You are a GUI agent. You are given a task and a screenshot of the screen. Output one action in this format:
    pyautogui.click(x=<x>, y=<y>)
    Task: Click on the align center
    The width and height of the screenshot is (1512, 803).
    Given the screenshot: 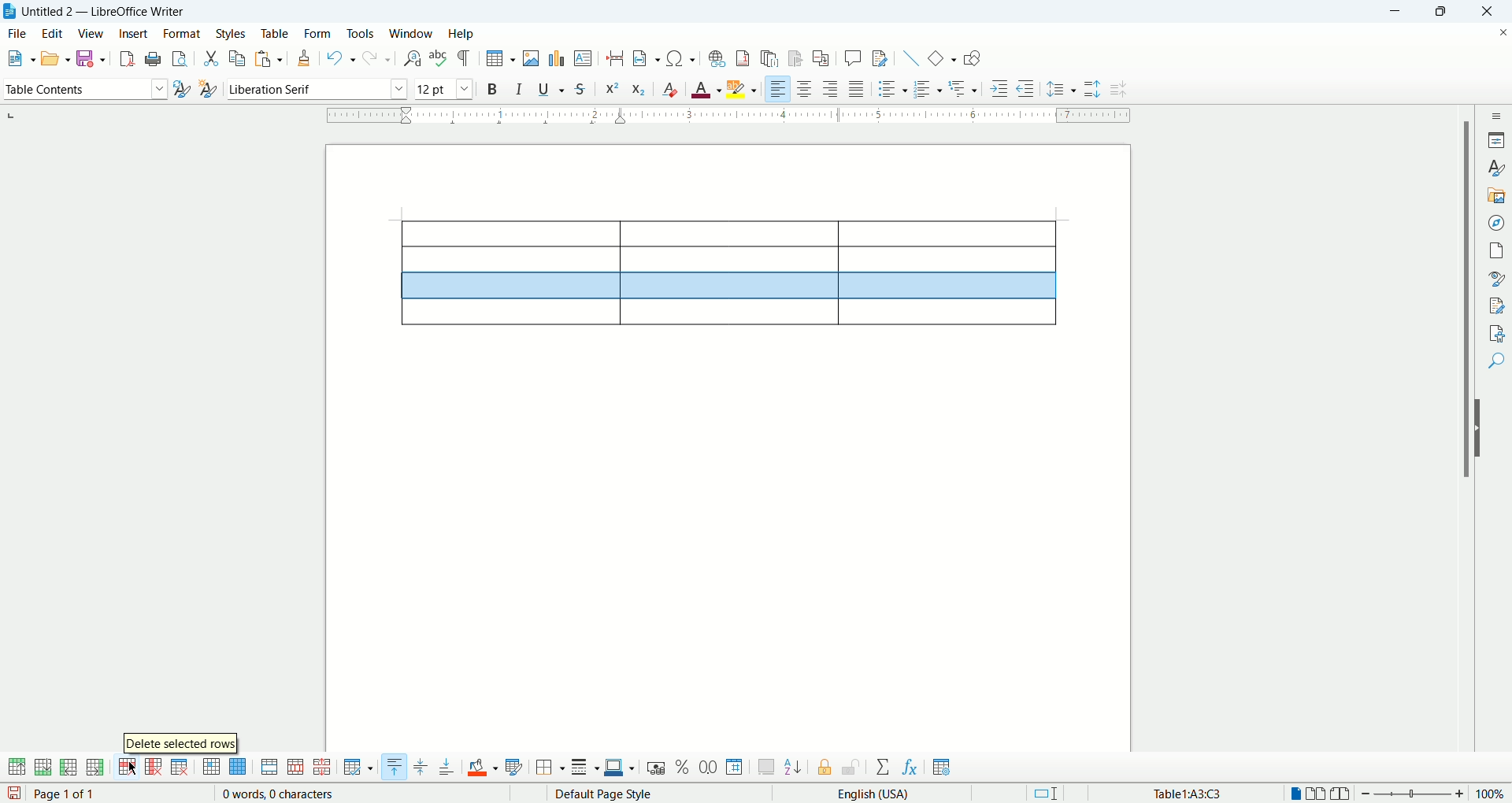 What is the action you would take?
    pyautogui.click(x=806, y=90)
    